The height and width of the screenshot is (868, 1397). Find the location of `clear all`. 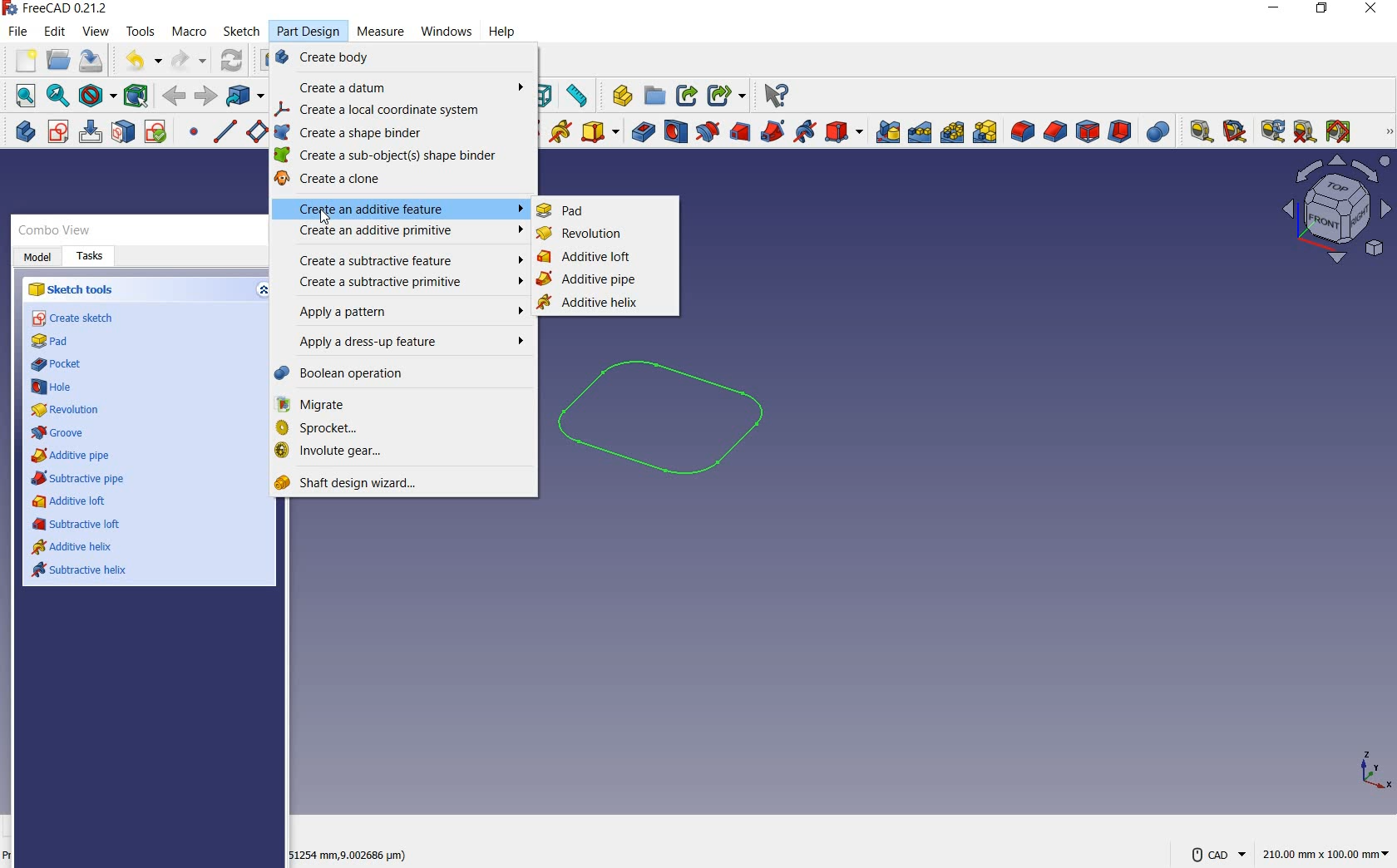

clear all is located at coordinates (1306, 133).